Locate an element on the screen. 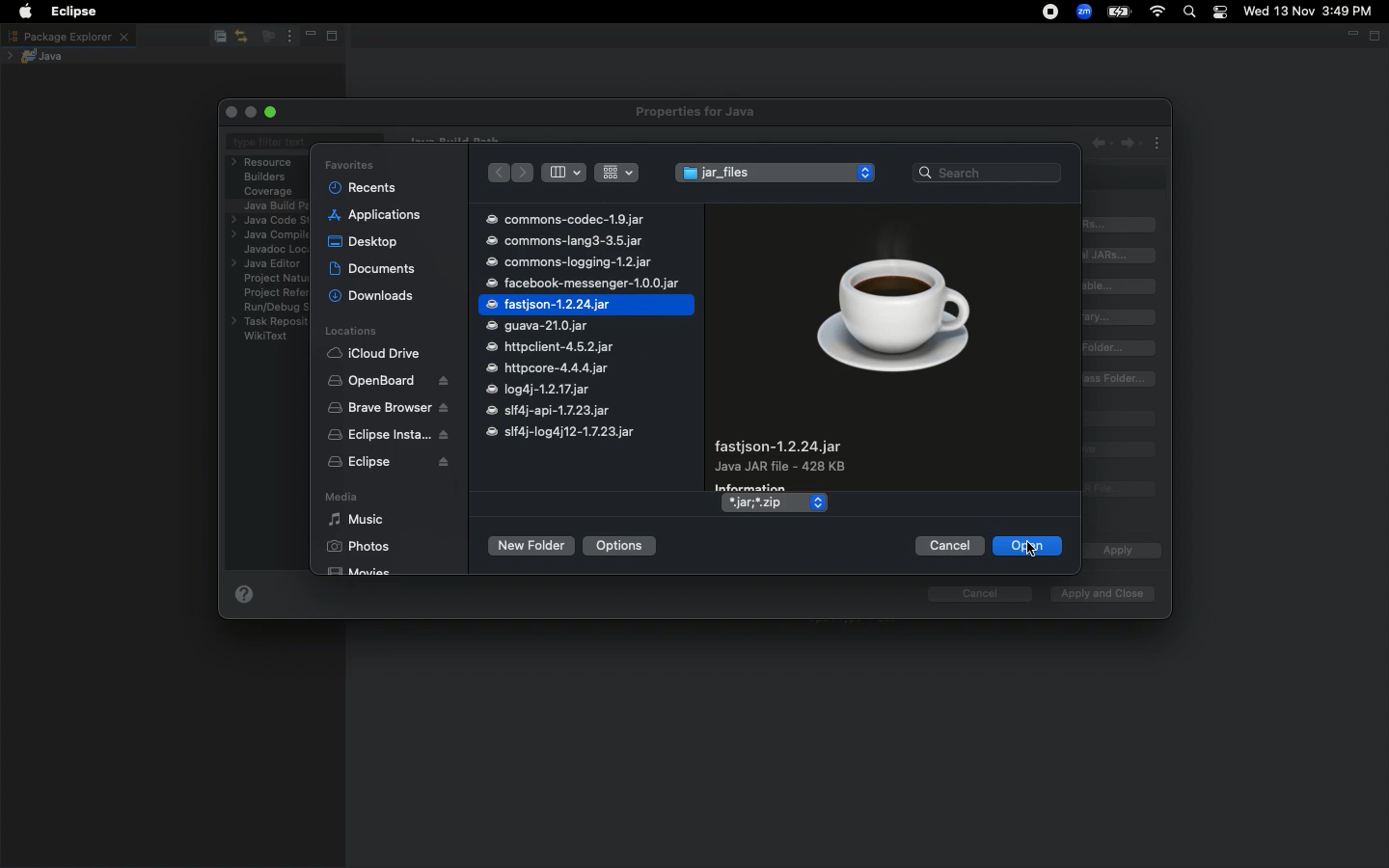 This screenshot has width=1389, height=868. Builders is located at coordinates (265, 177).